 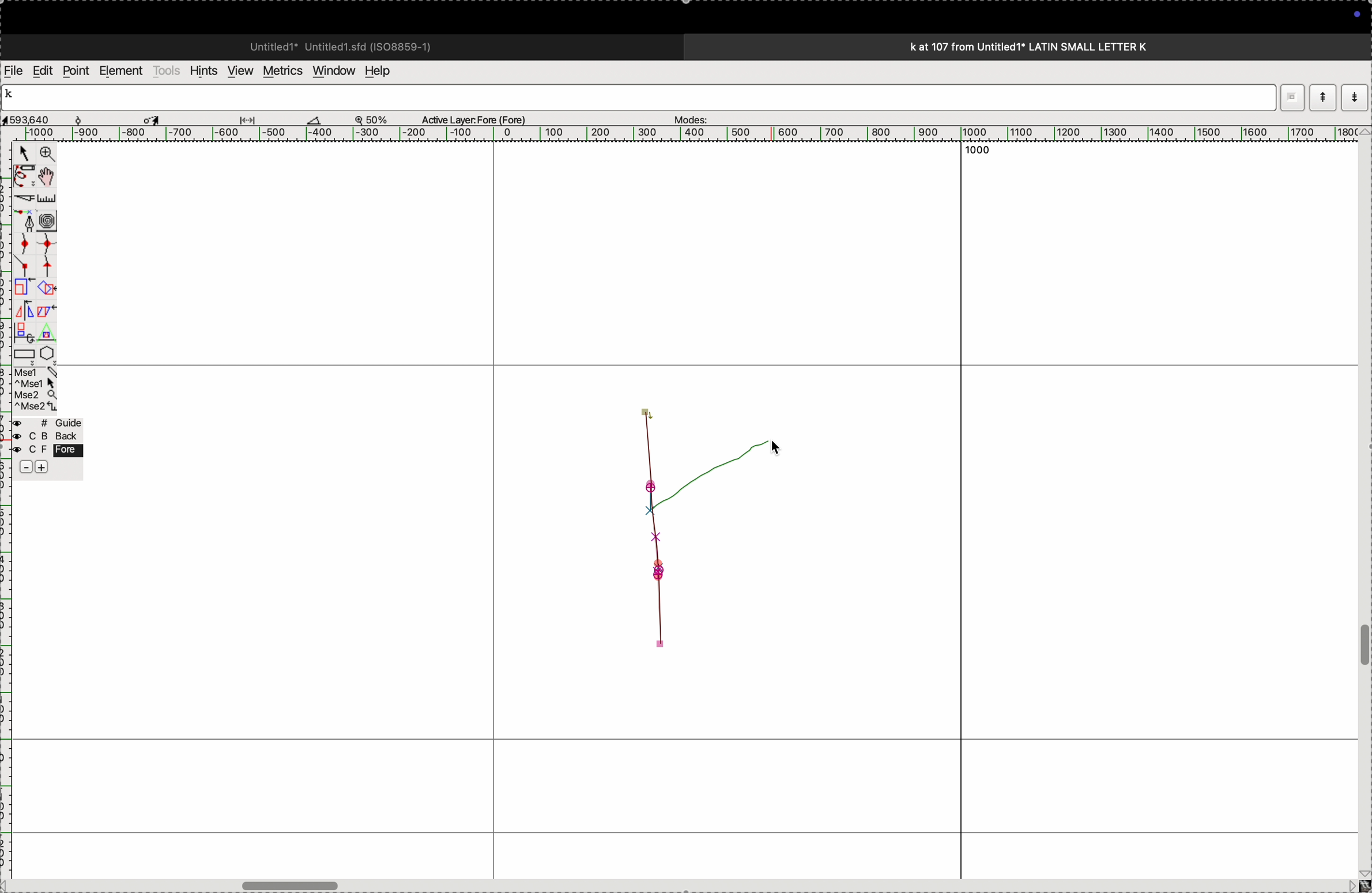 What do you see at coordinates (377, 119) in the screenshot?
I see `zoom` at bounding box center [377, 119].